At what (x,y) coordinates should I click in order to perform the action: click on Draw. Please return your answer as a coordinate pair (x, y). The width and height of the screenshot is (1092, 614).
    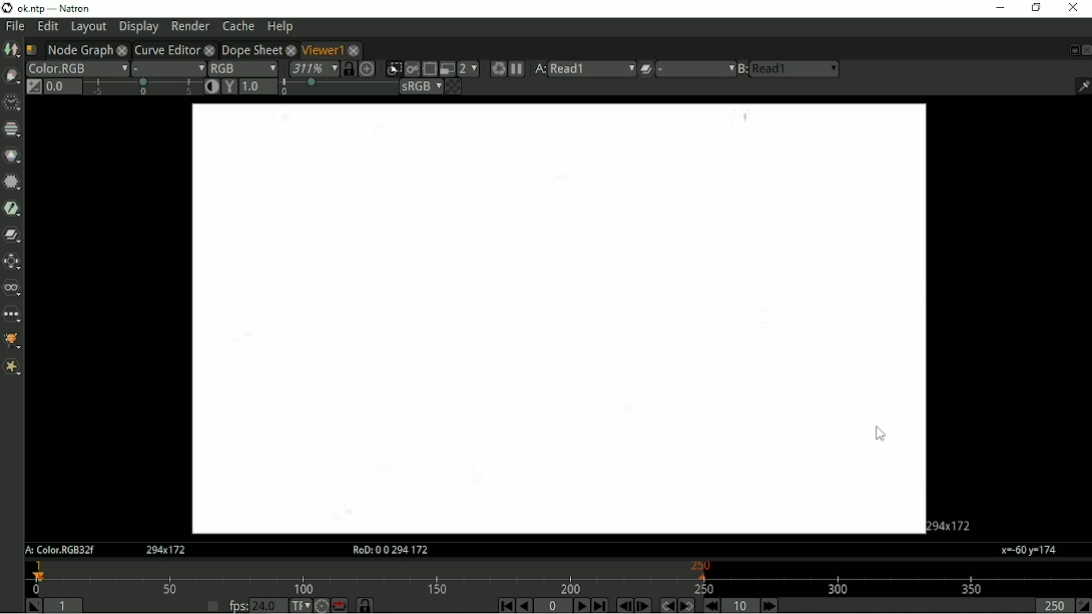
    Looking at the image, I should click on (12, 77).